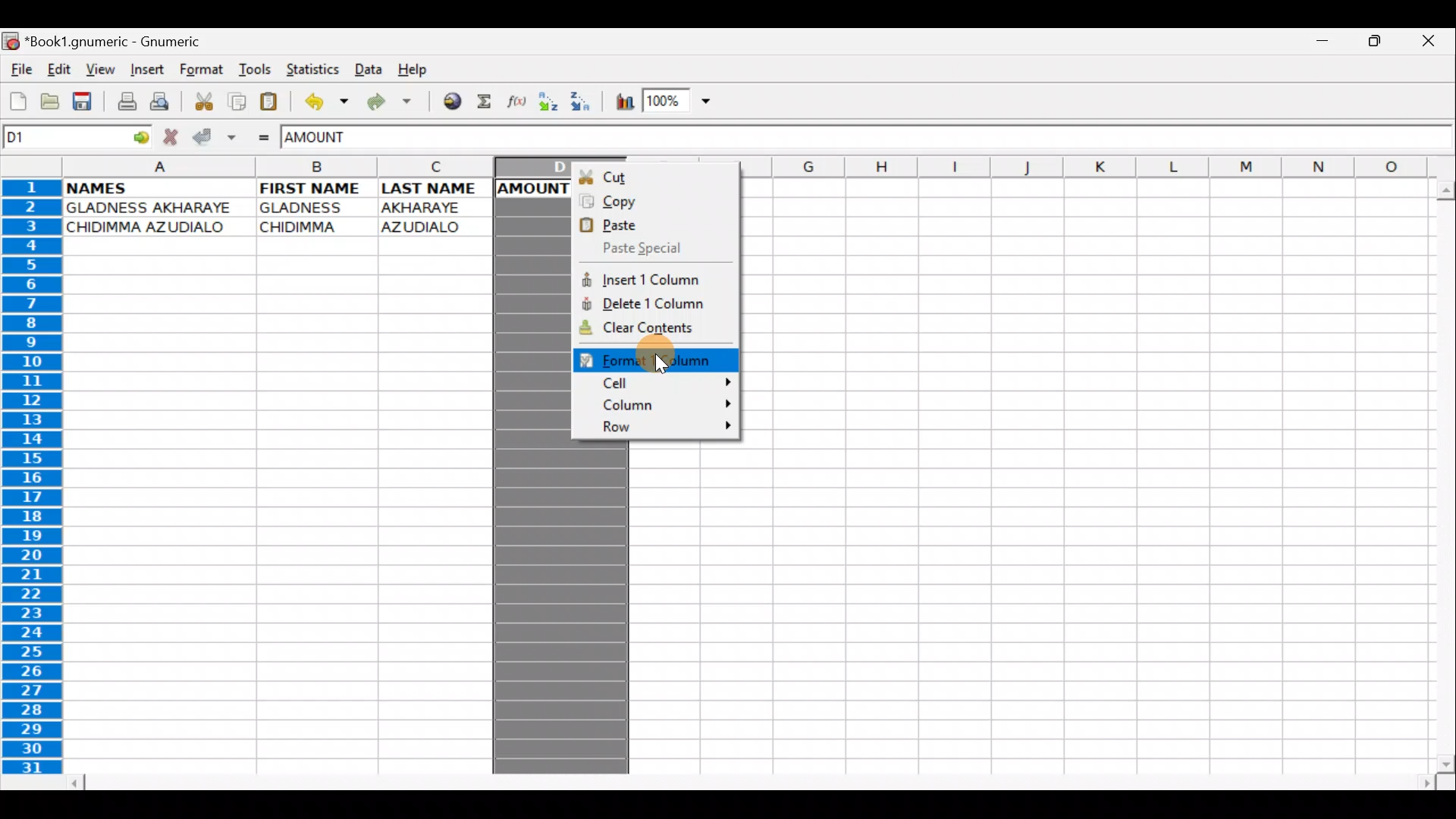 The width and height of the screenshot is (1456, 819). I want to click on Close, so click(1429, 39).